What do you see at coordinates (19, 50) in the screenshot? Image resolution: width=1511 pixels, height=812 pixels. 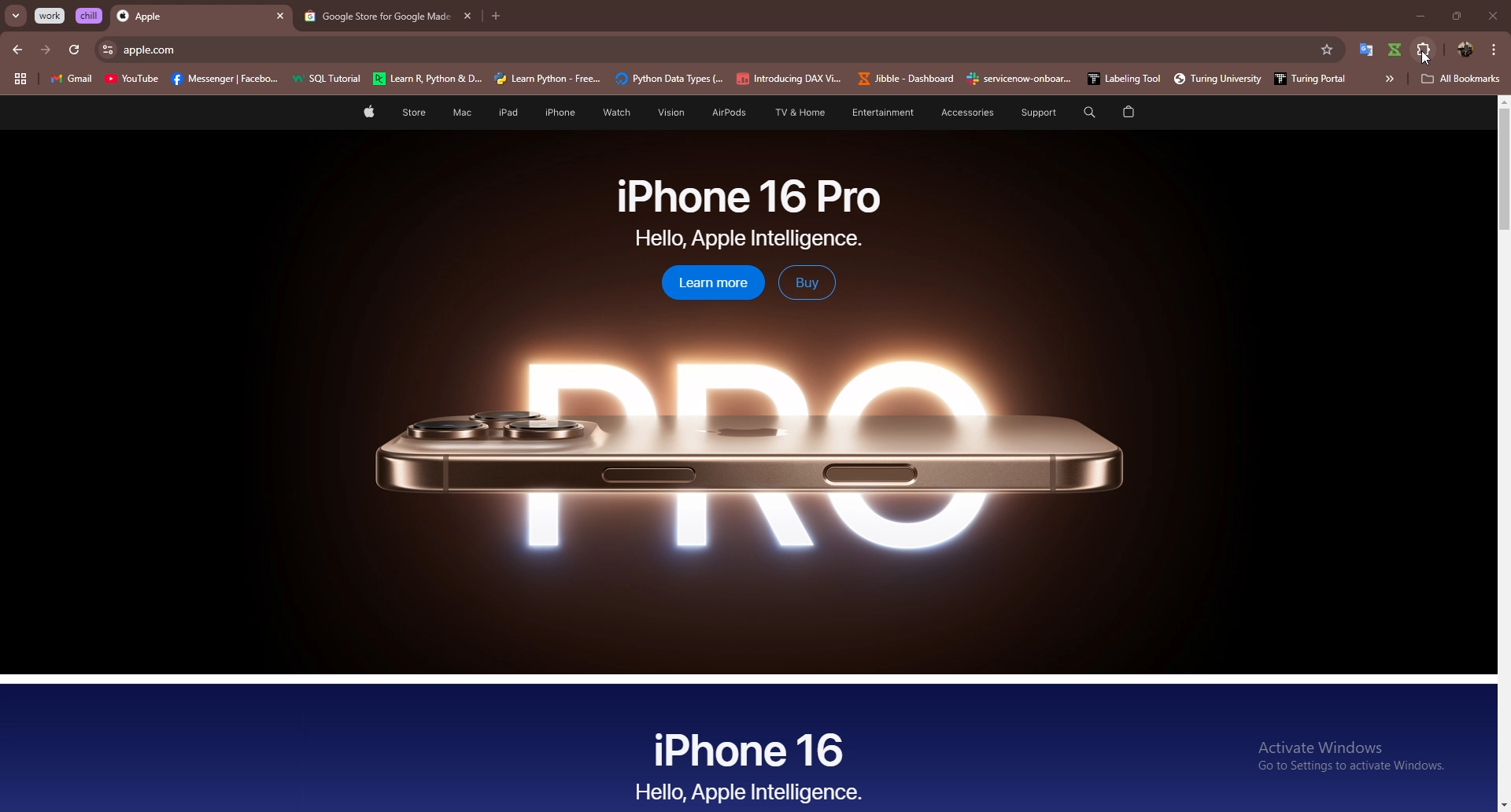 I see `back` at bounding box center [19, 50].